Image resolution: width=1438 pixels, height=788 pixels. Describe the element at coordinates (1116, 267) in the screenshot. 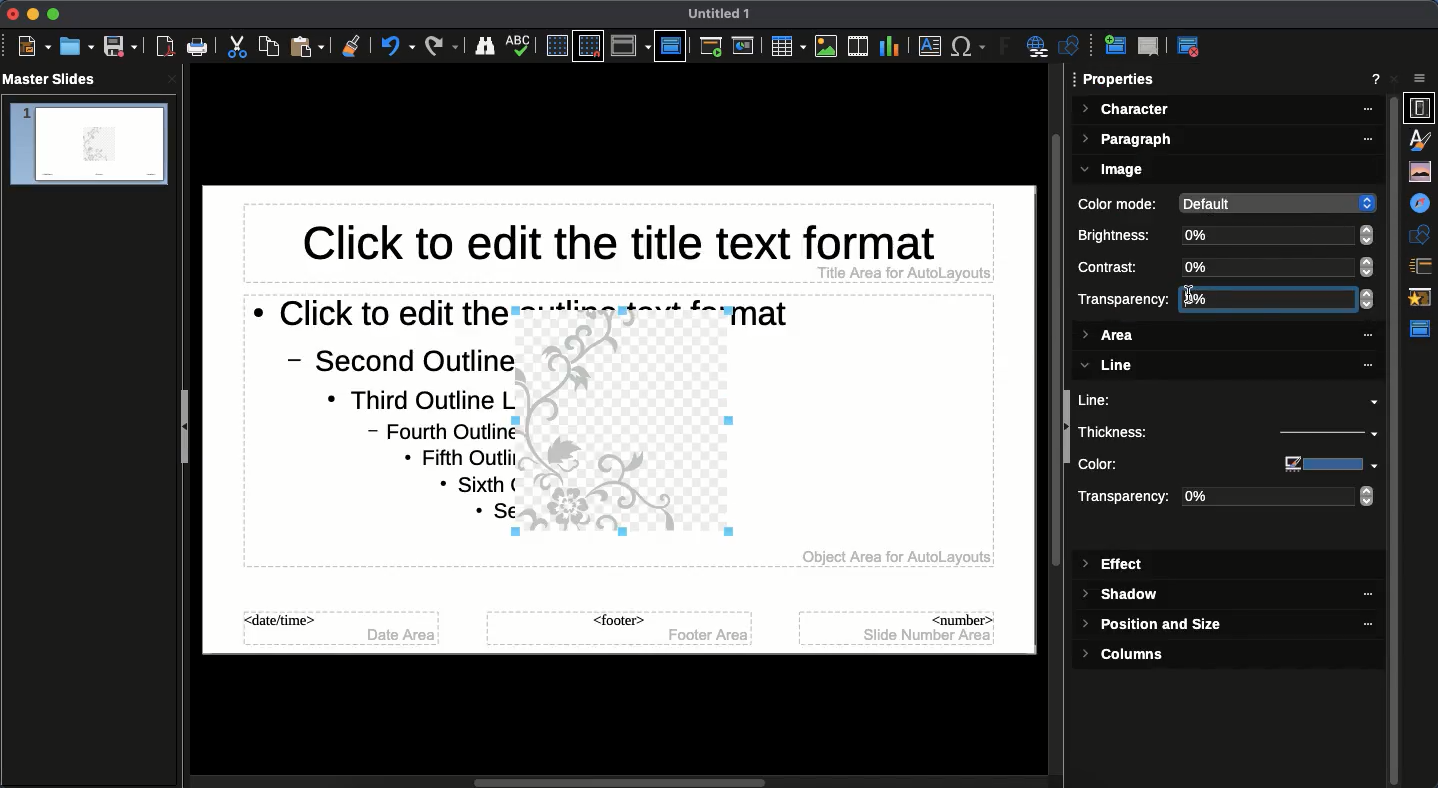

I see `Contrast` at that location.